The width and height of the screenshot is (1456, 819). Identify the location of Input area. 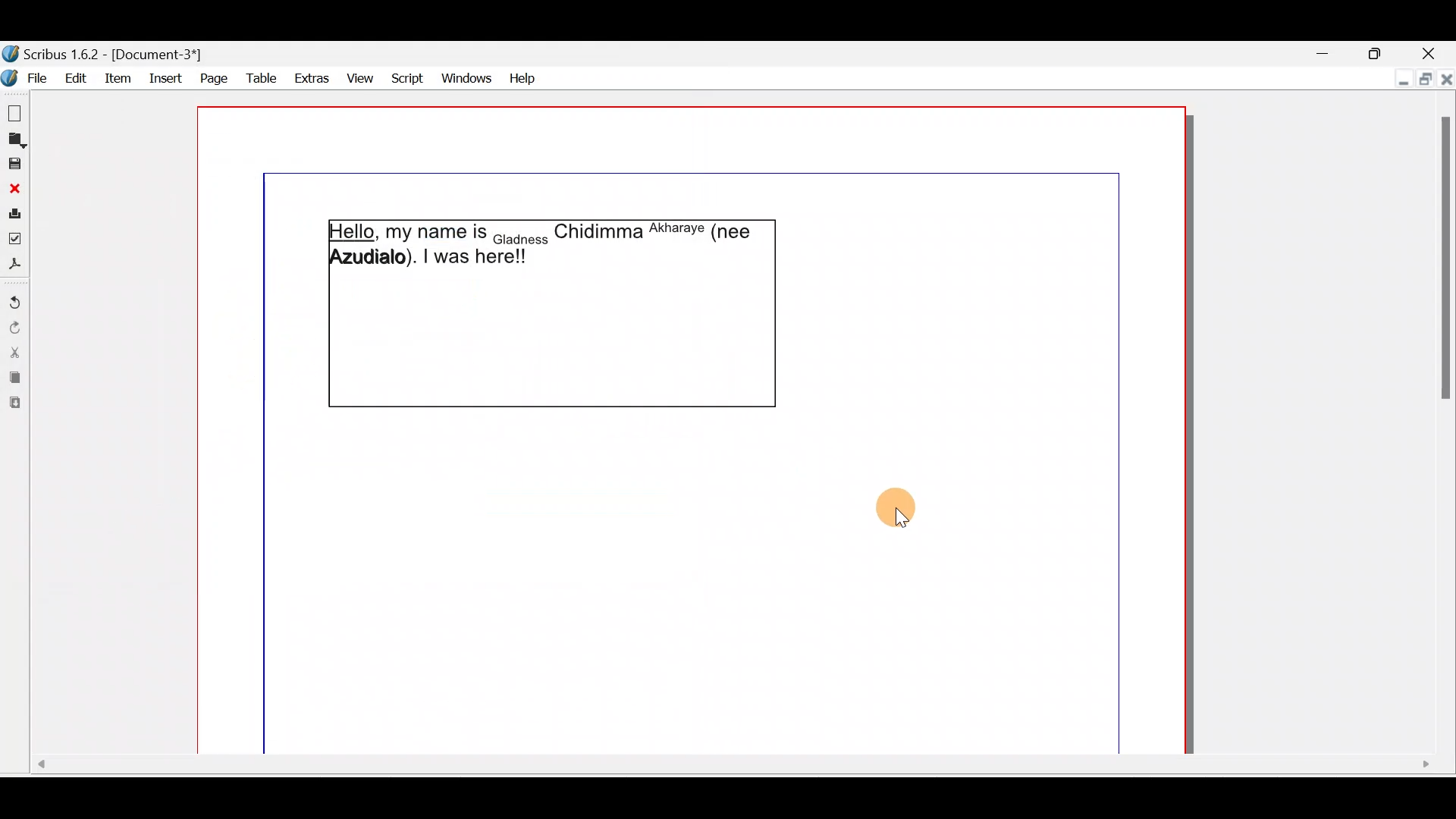
(572, 579).